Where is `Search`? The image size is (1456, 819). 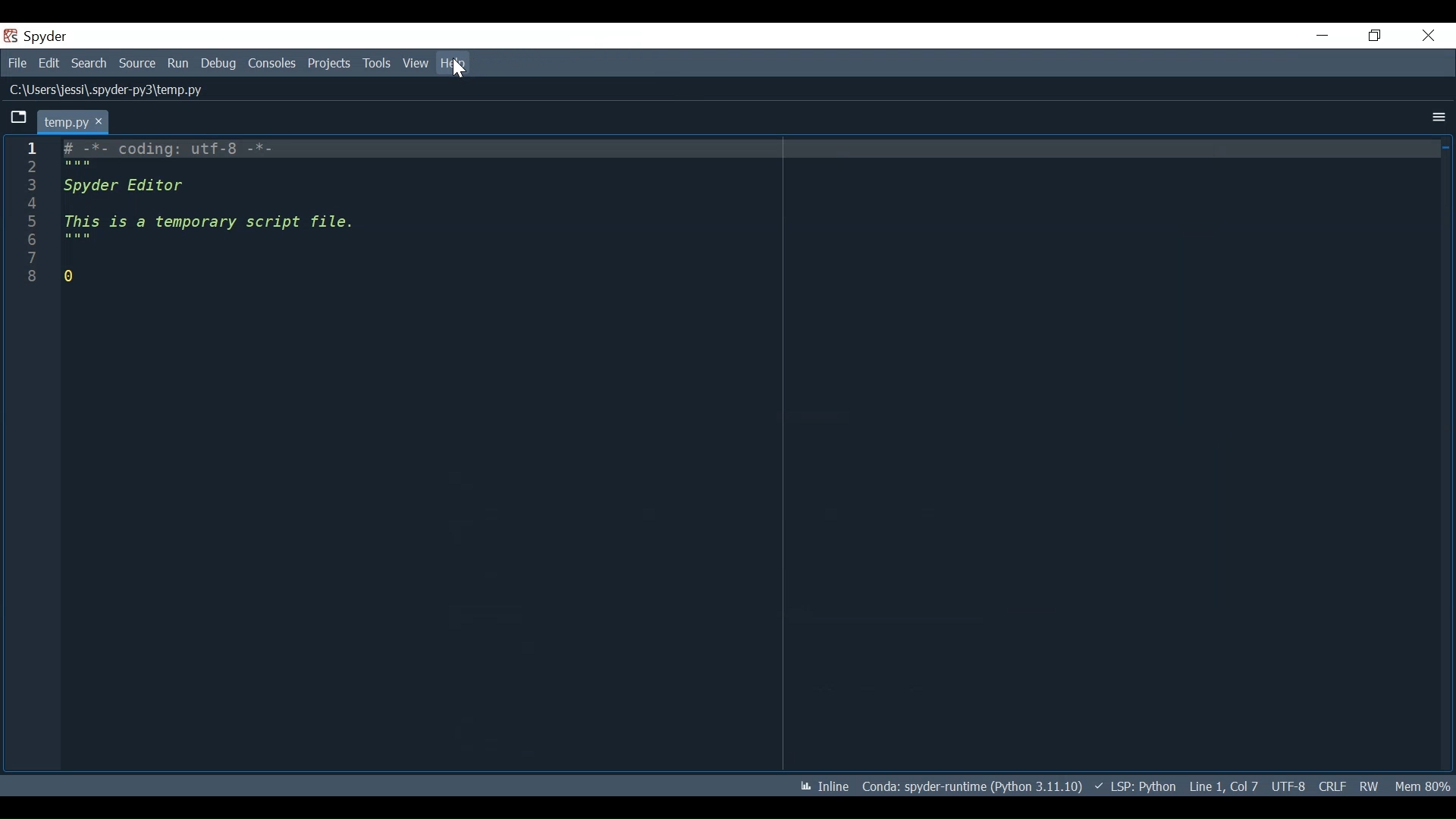 Search is located at coordinates (89, 63).